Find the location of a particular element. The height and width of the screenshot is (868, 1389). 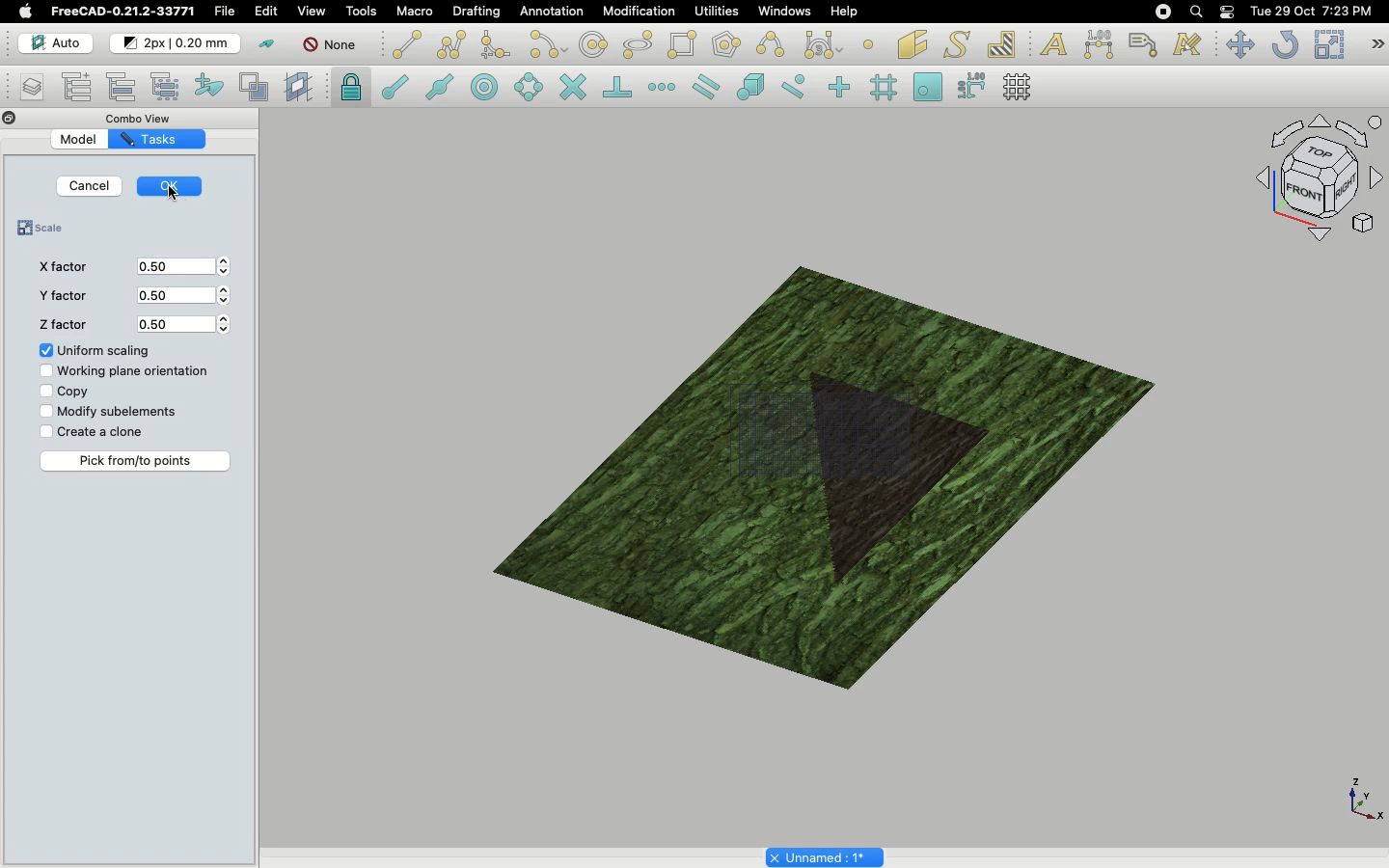

Modify subelements is located at coordinates (112, 412).